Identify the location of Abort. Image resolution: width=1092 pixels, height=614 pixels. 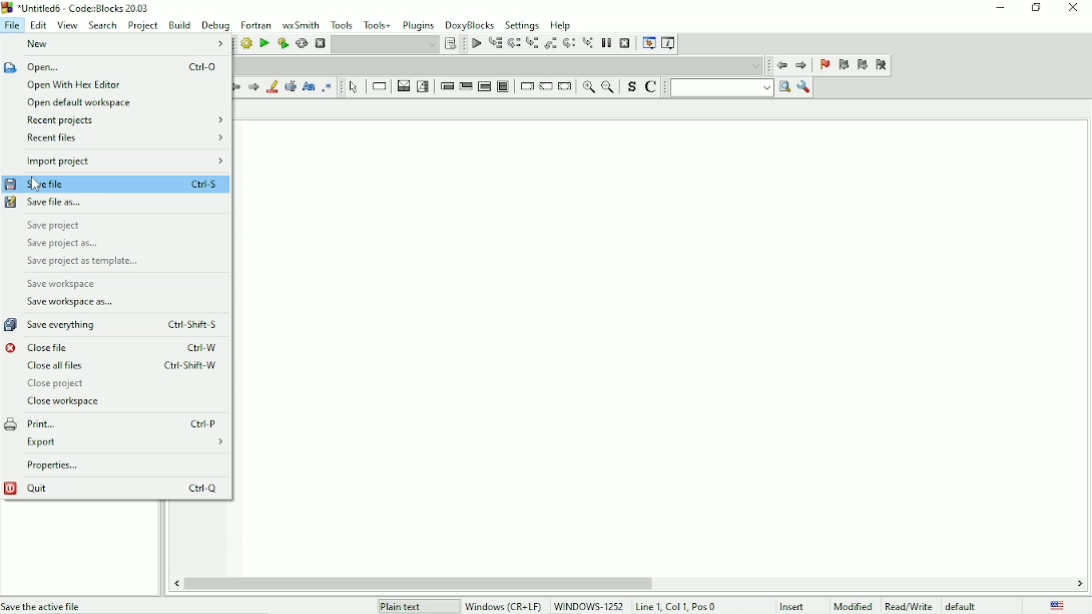
(319, 44).